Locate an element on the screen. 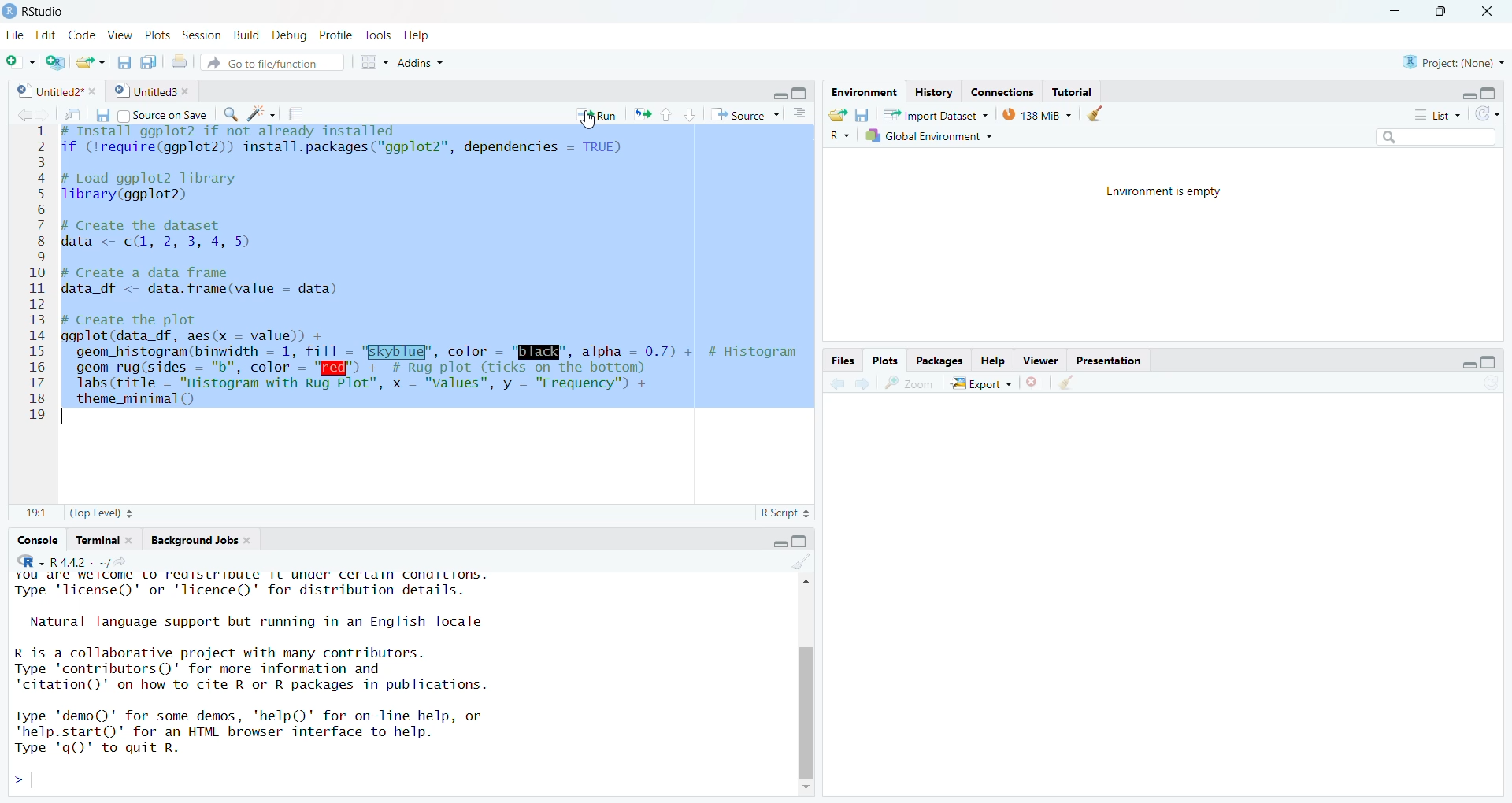 This screenshot has height=803, width=1512. Show document outline is located at coordinates (800, 116).